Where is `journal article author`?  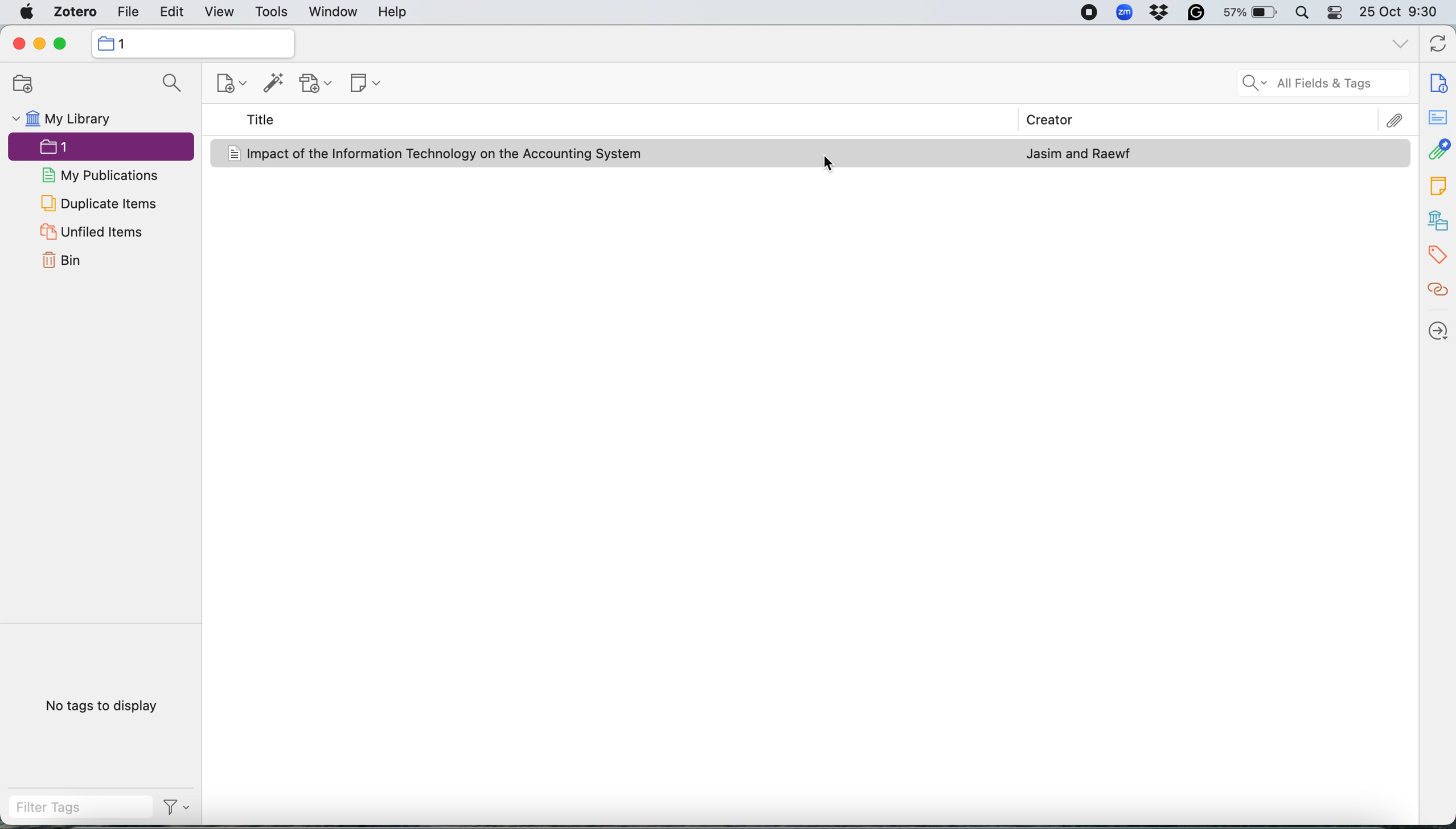 journal article author is located at coordinates (1081, 152).